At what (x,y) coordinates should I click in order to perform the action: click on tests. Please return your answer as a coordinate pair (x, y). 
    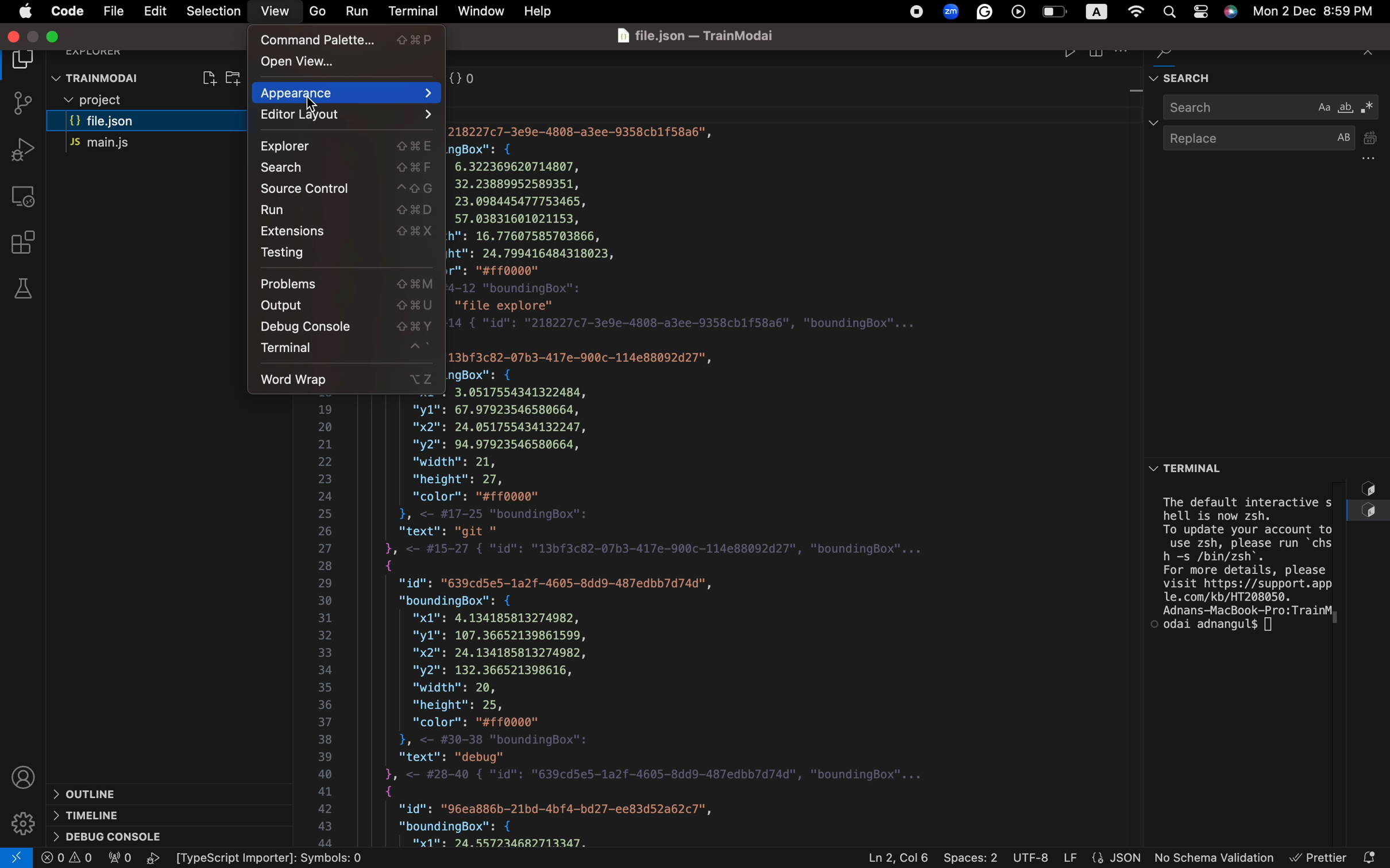
    Looking at the image, I should click on (22, 288).